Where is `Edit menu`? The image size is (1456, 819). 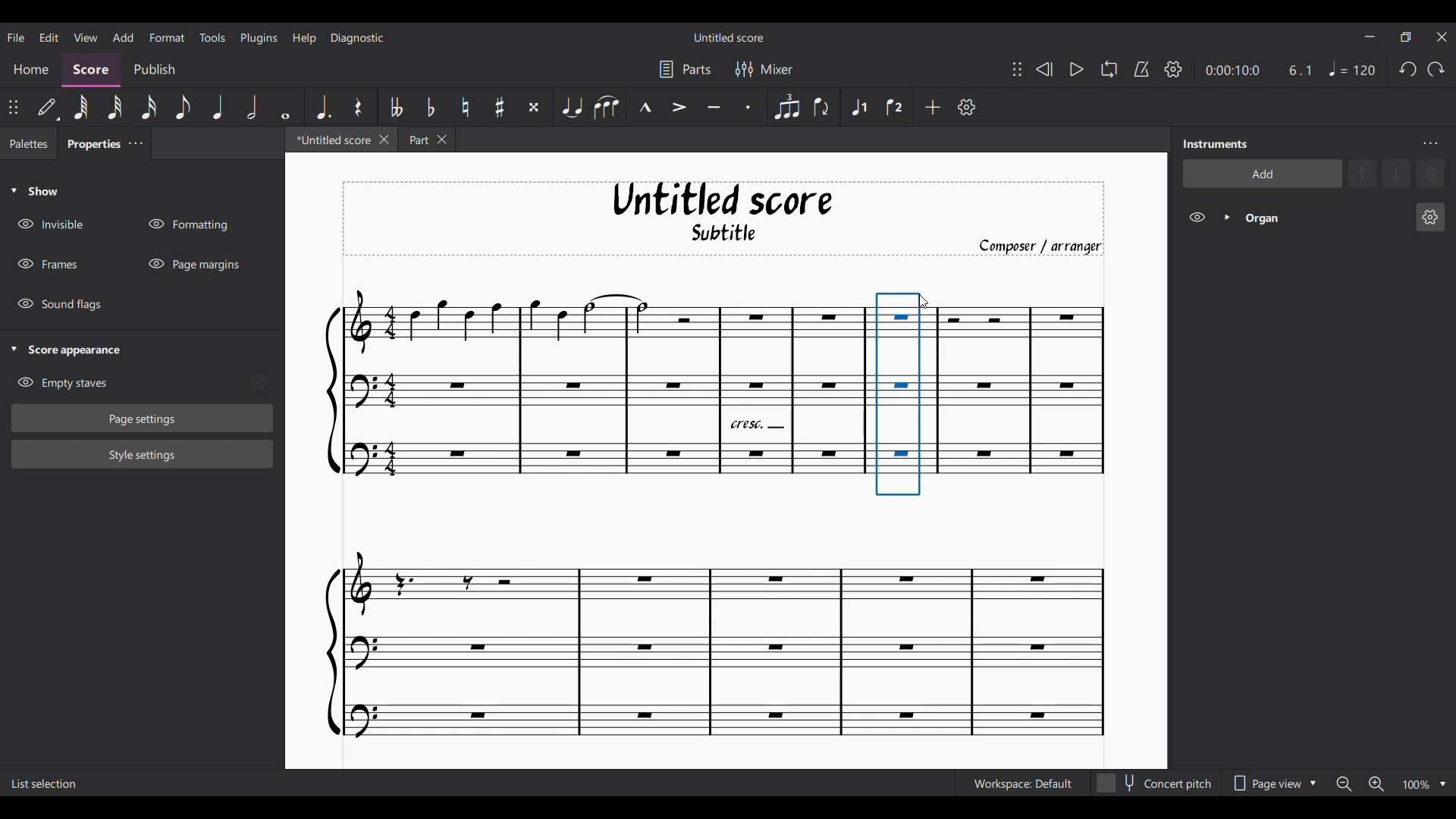
Edit menu is located at coordinates (49, 36).